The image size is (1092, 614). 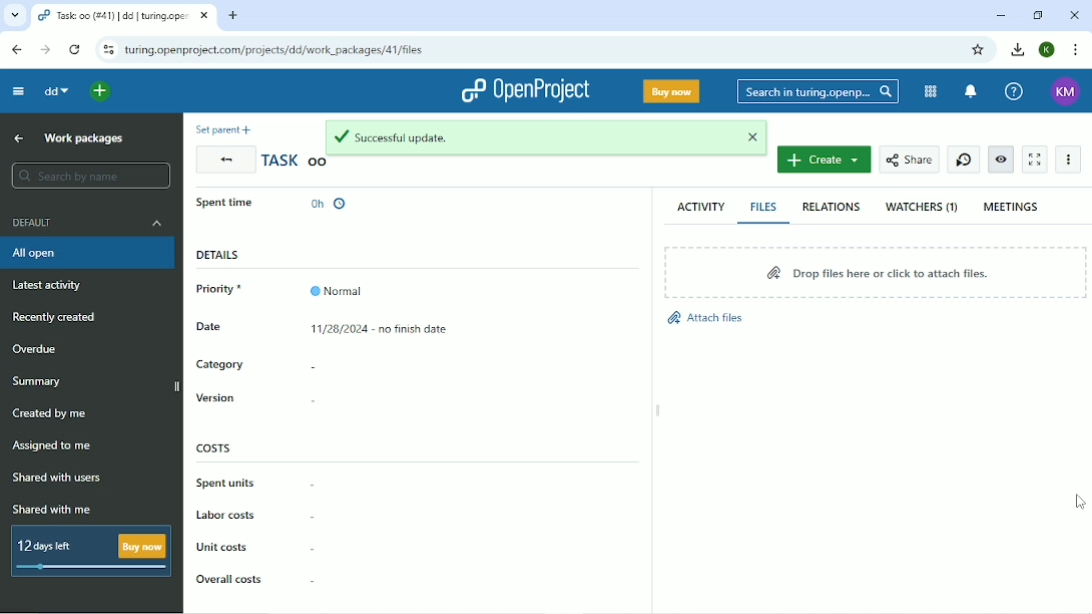 What do you see at coordinates (823, 160) in the screenshot?
I see `Create` at bounding box center [823, 160].